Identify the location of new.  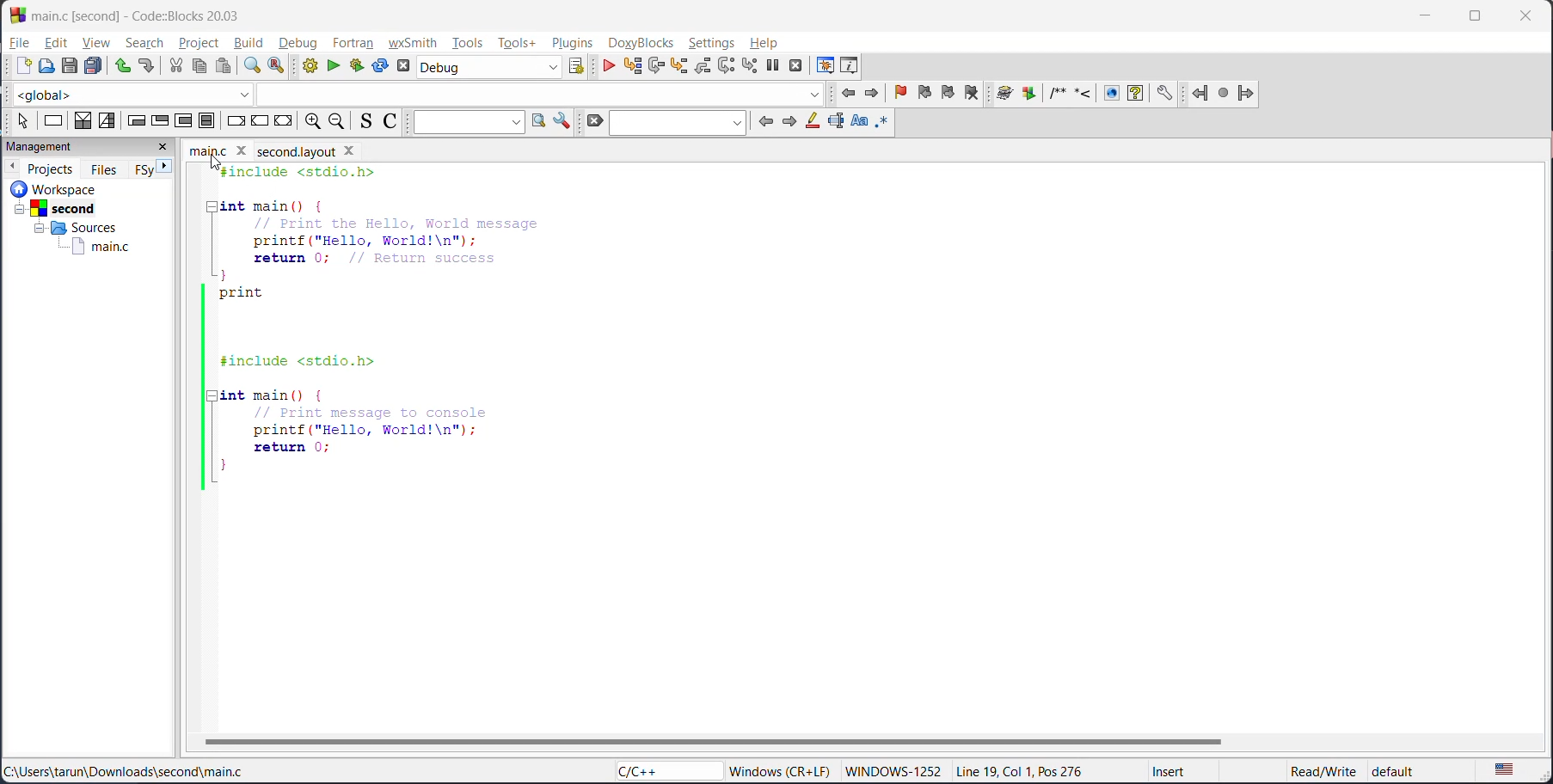
(16, 65).